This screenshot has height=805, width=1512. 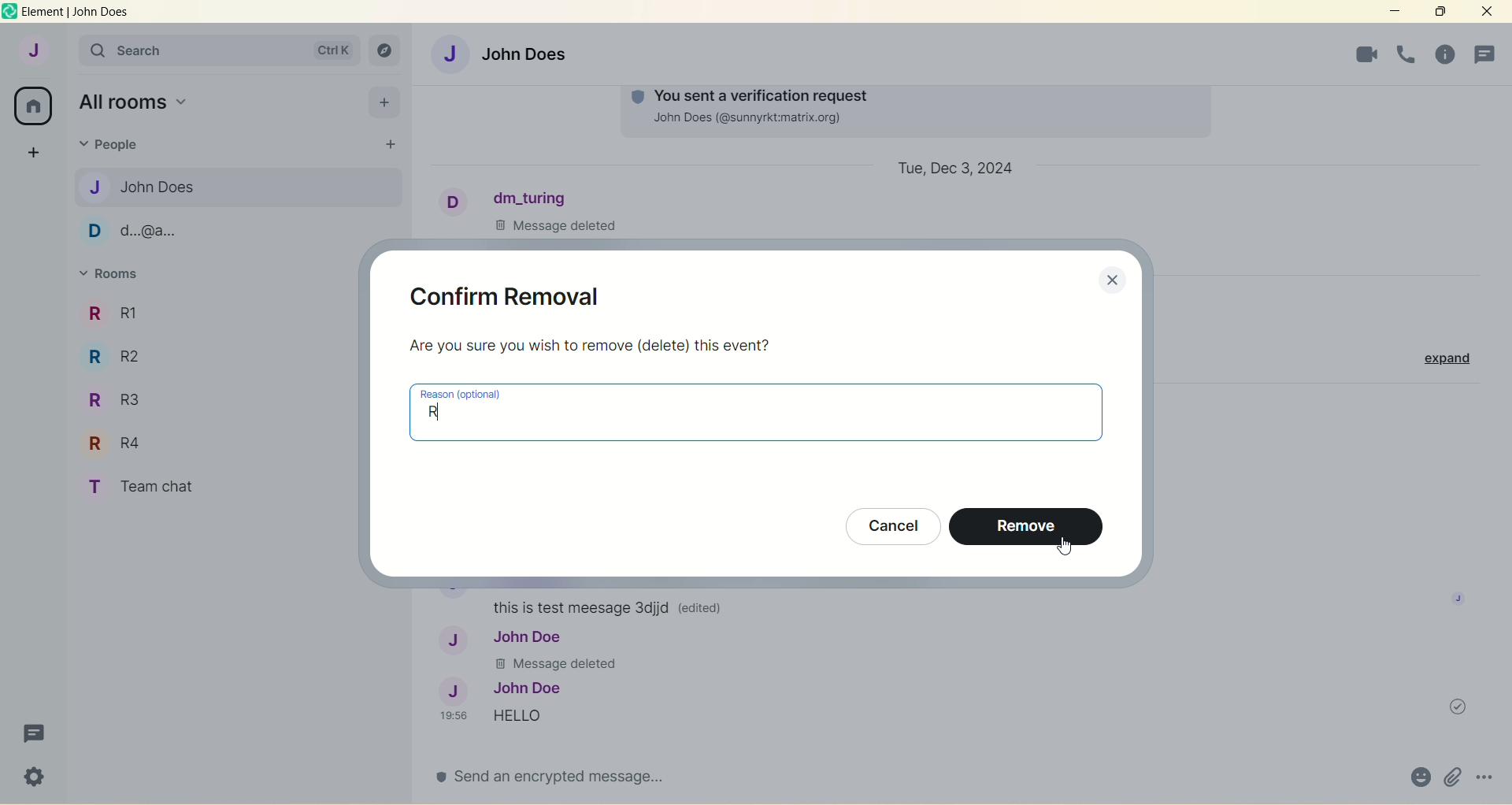 I want to click on R R2, so click(x=124, y=356).